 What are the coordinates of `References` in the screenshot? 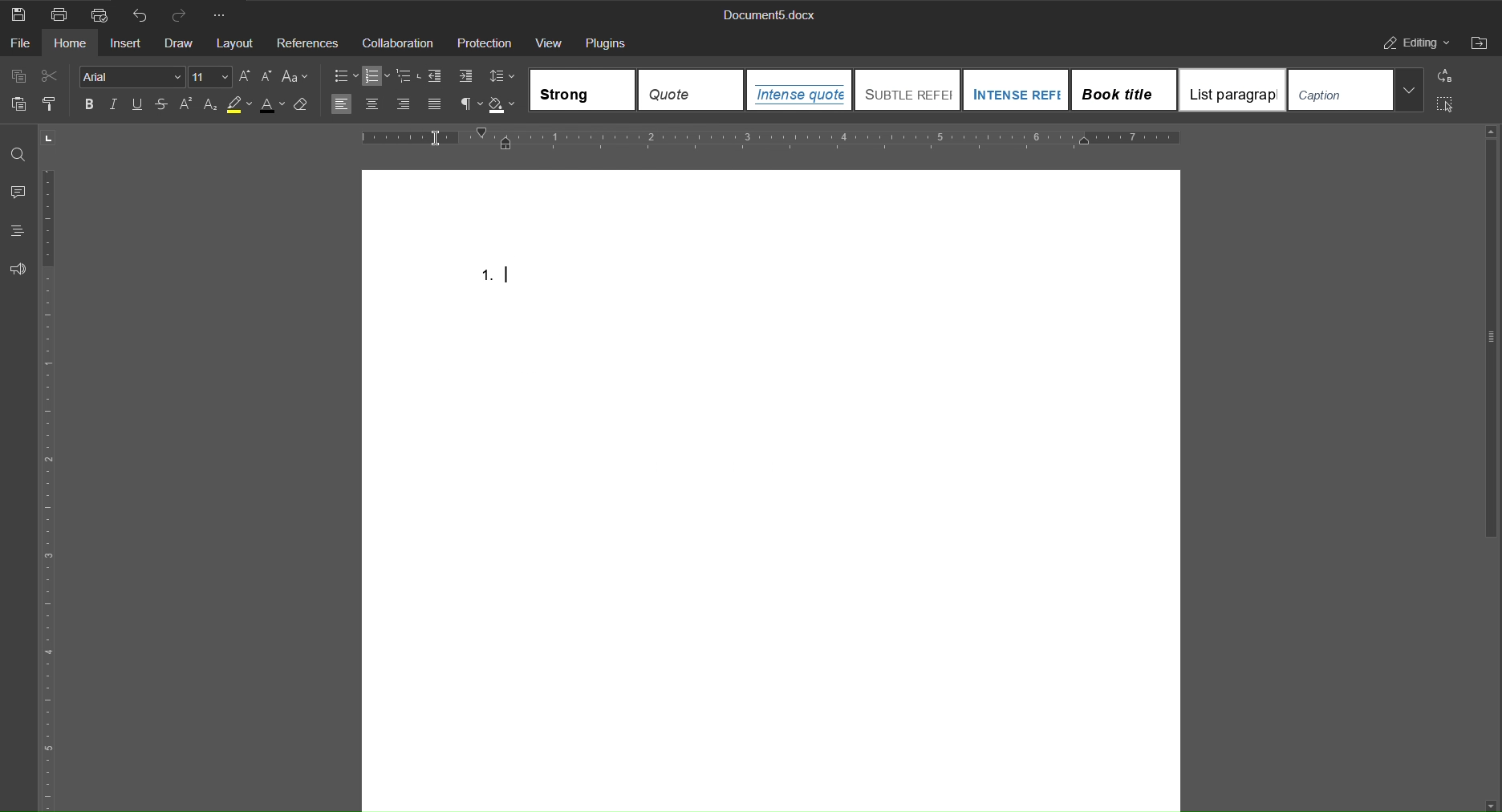 It's located at (309, 44).